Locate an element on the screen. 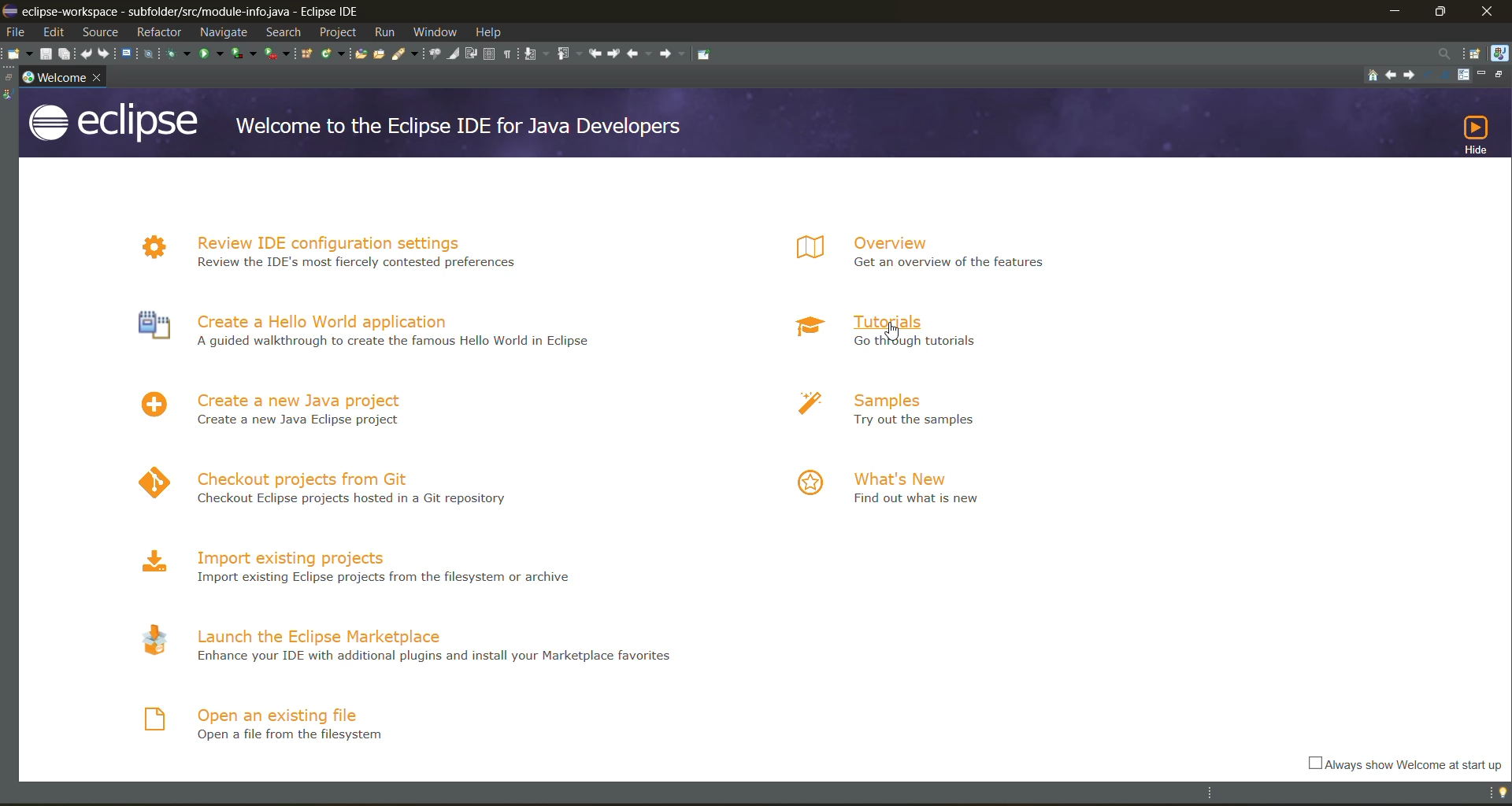  reduce is located at coordinates (1430, 75).